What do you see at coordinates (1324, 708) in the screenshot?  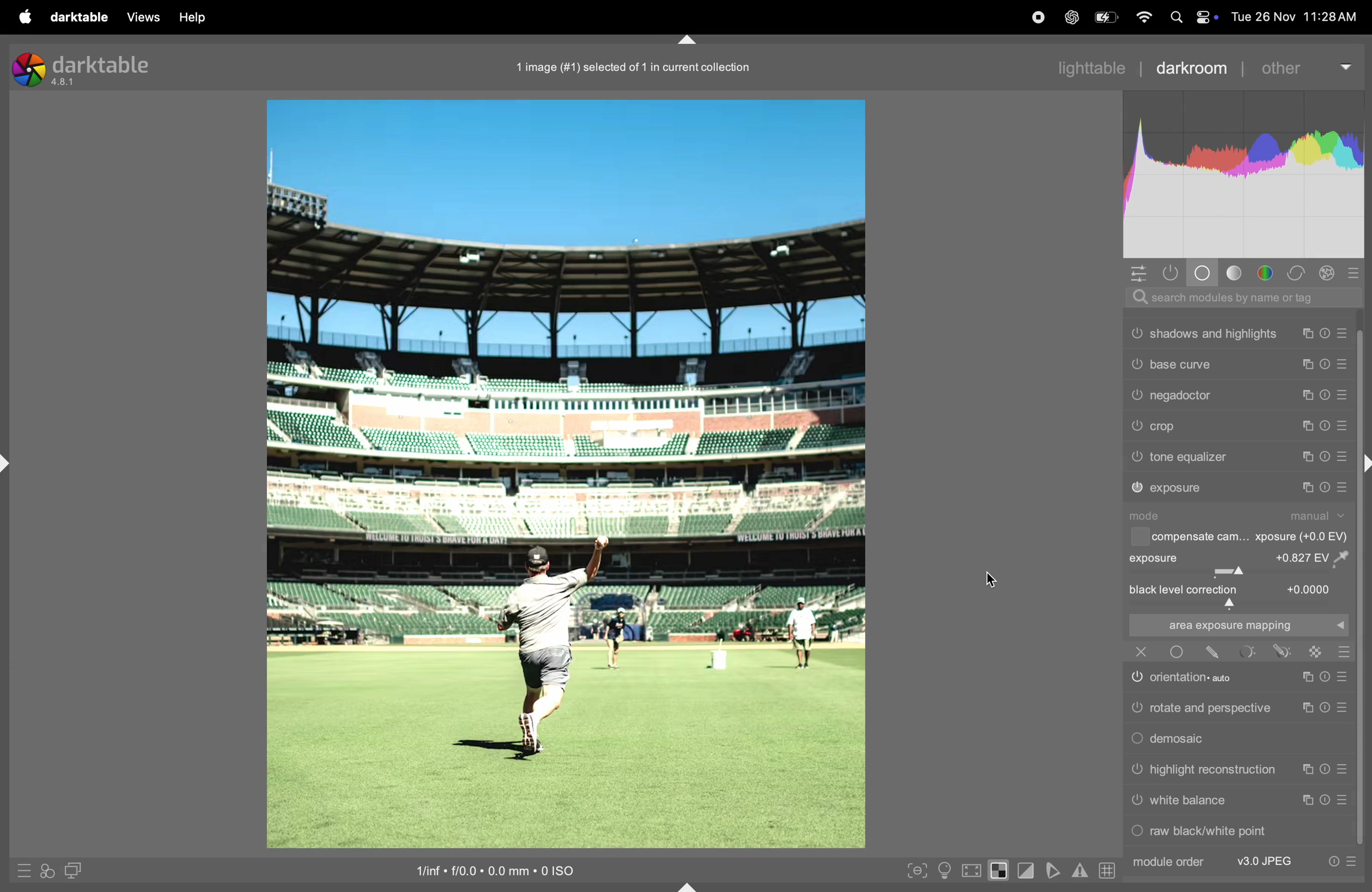 I see `reset Preset` at bounding box center [1324, 708].